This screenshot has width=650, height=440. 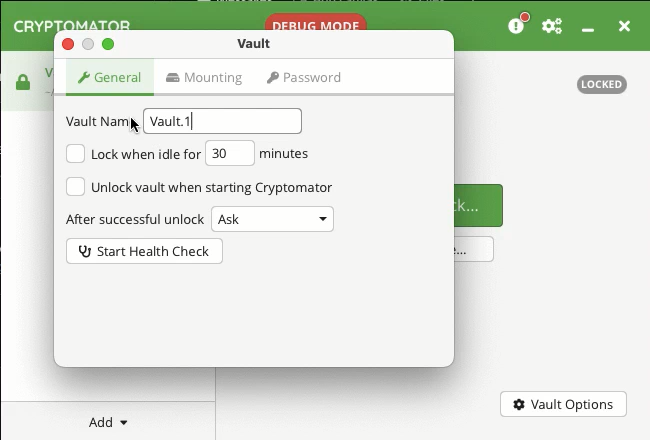 I want to click on Mounting, so click(x=205, y=77).